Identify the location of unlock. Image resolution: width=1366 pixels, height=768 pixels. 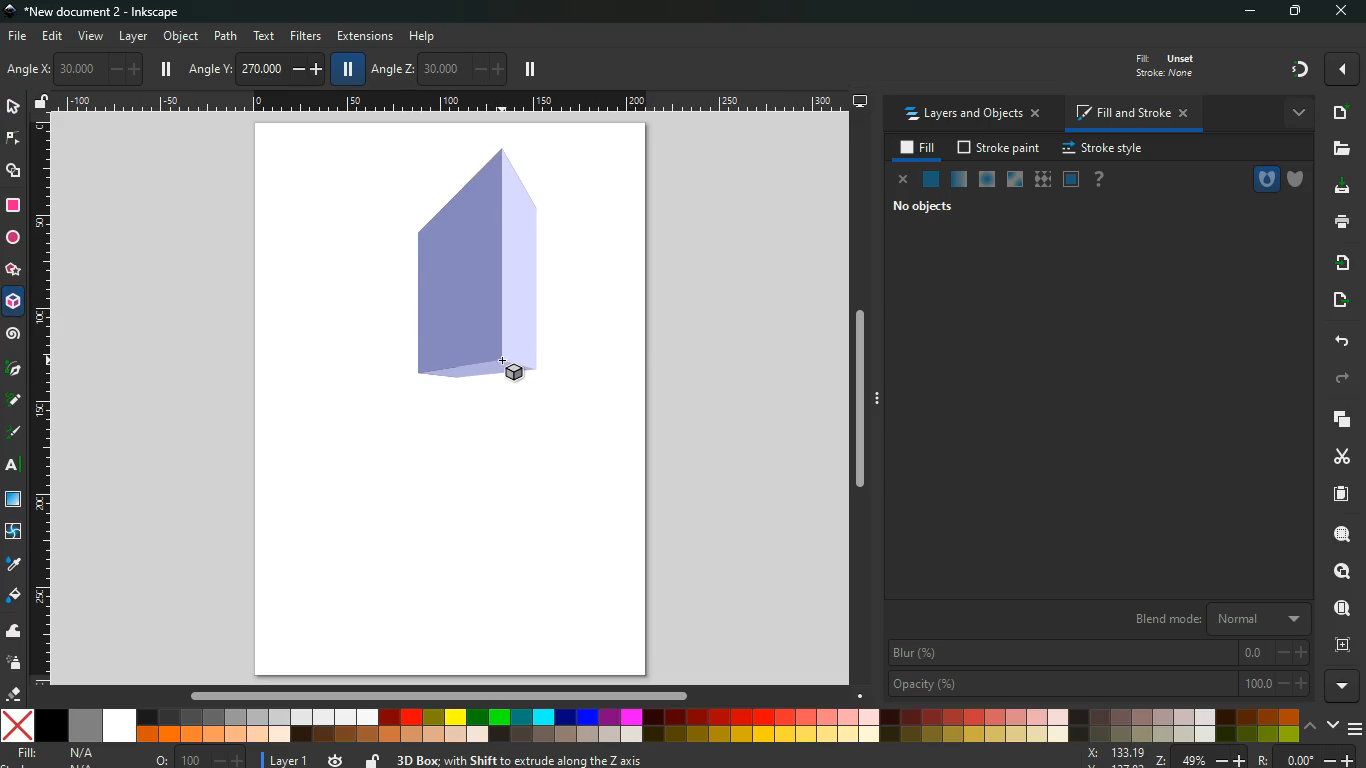
(372, 760).